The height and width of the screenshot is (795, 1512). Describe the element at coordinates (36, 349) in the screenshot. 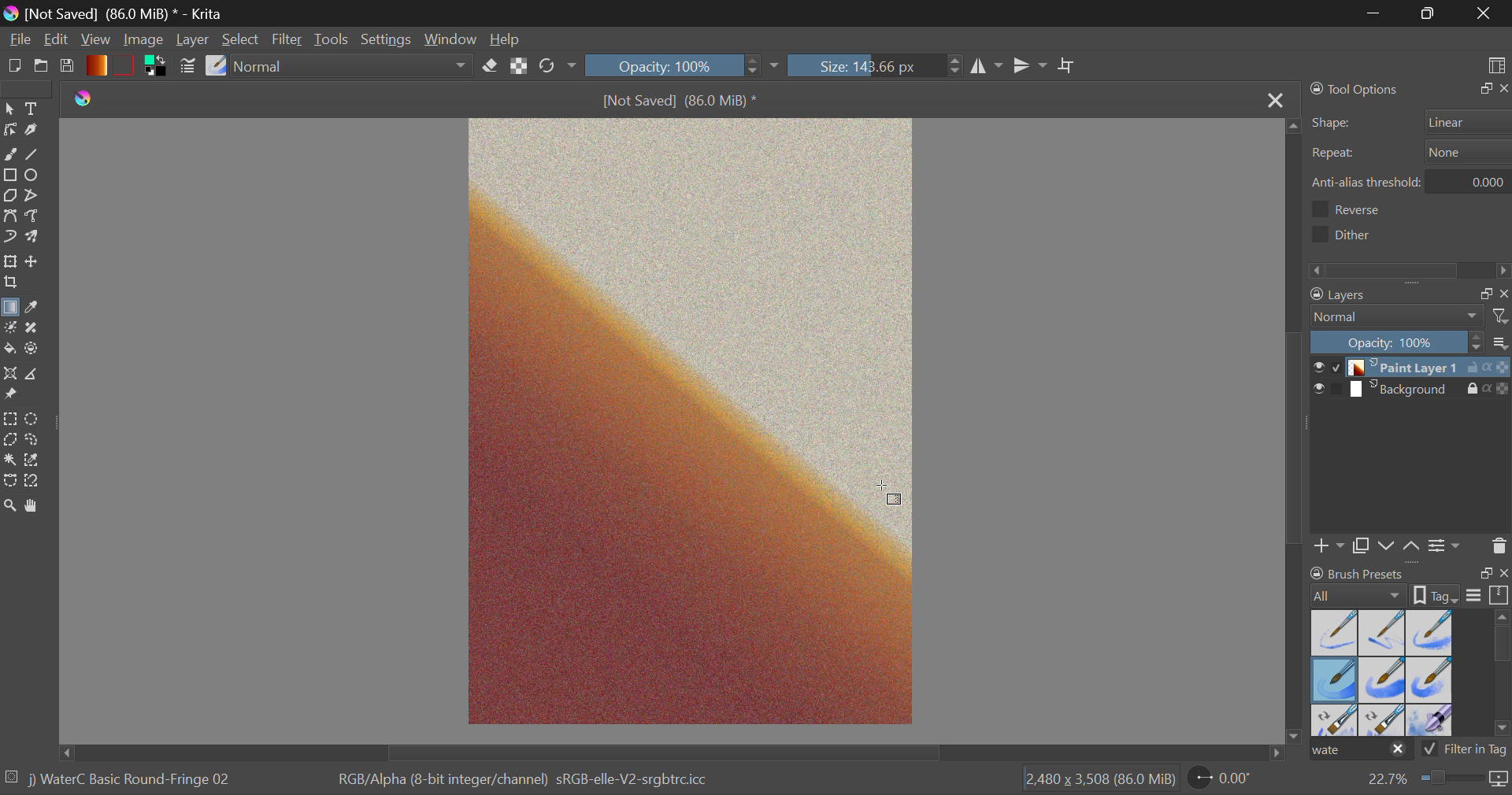

I see `Enclose and Fill` at that location.